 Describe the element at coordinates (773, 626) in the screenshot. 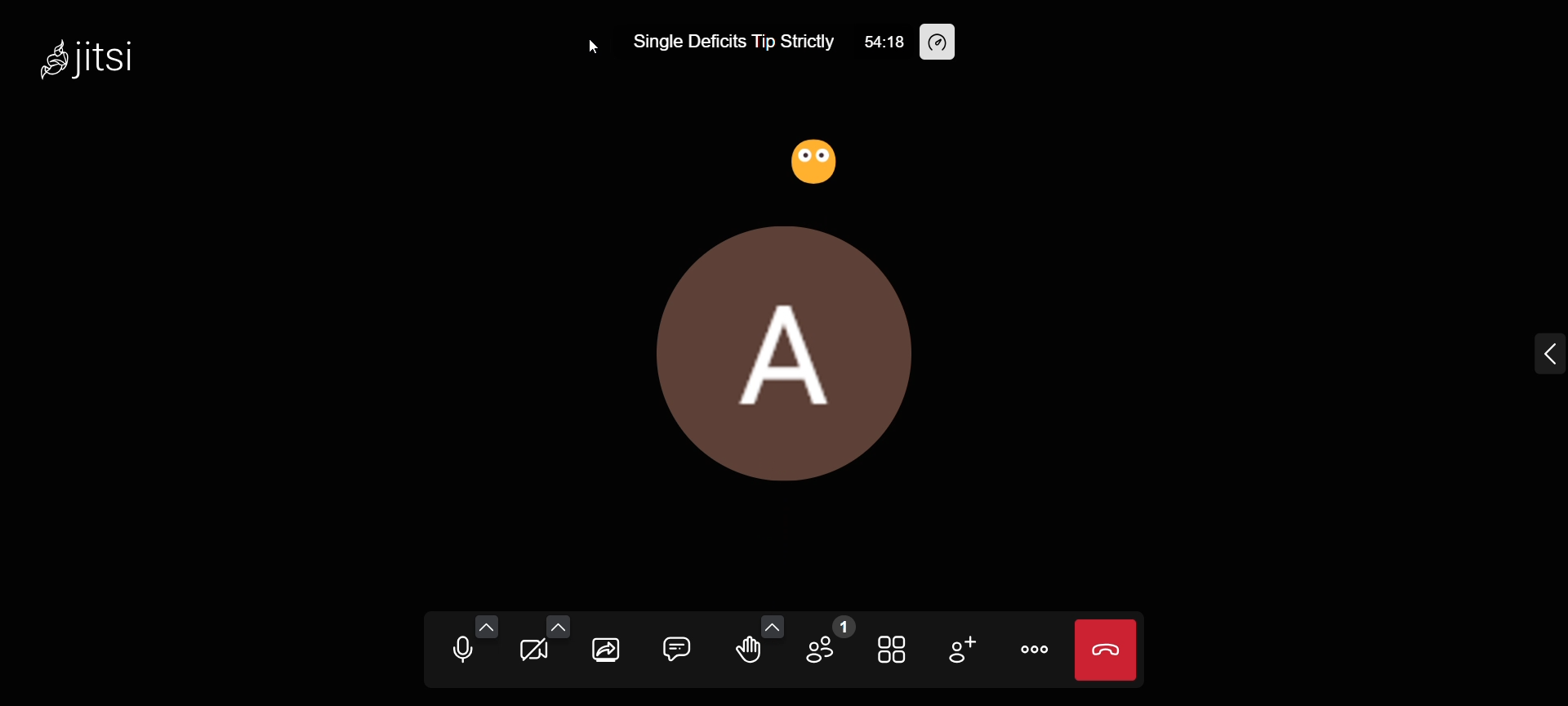

I see `more emojis` at that location.